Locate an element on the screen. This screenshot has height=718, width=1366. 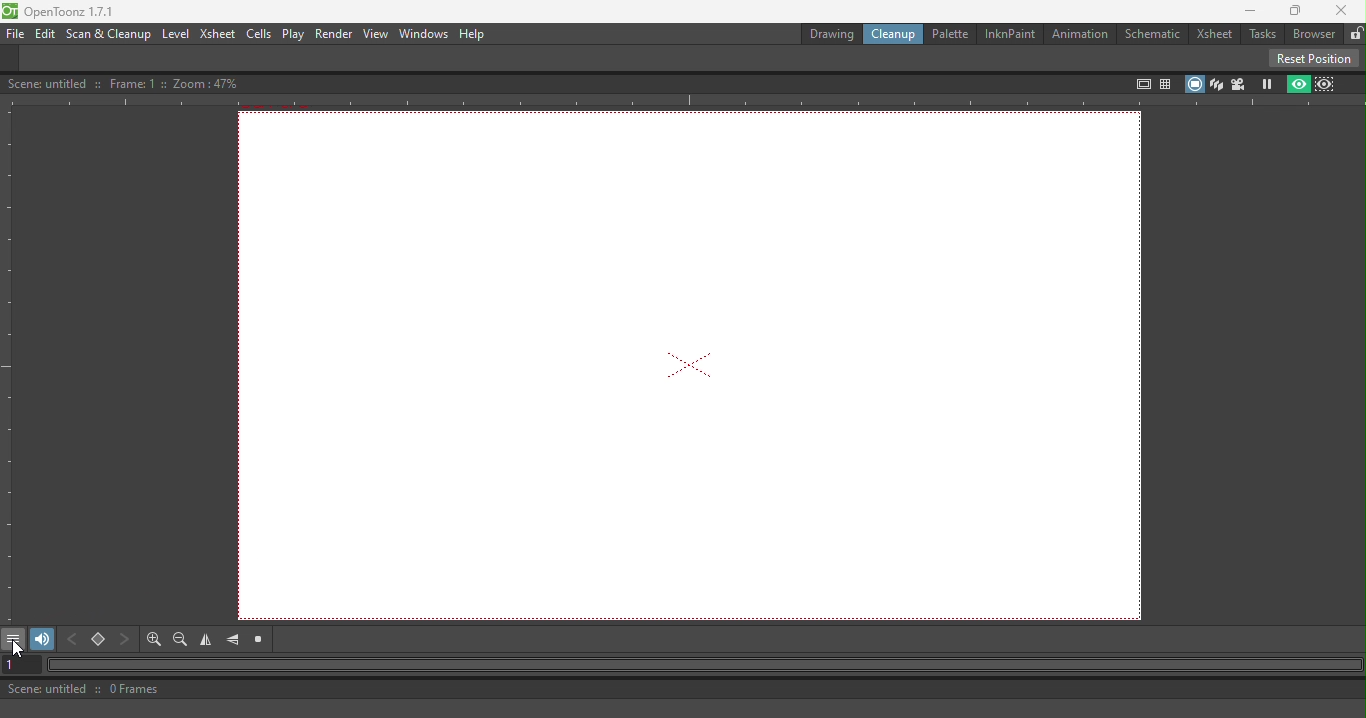
Soundtrack is located at coordinates (41, 638).